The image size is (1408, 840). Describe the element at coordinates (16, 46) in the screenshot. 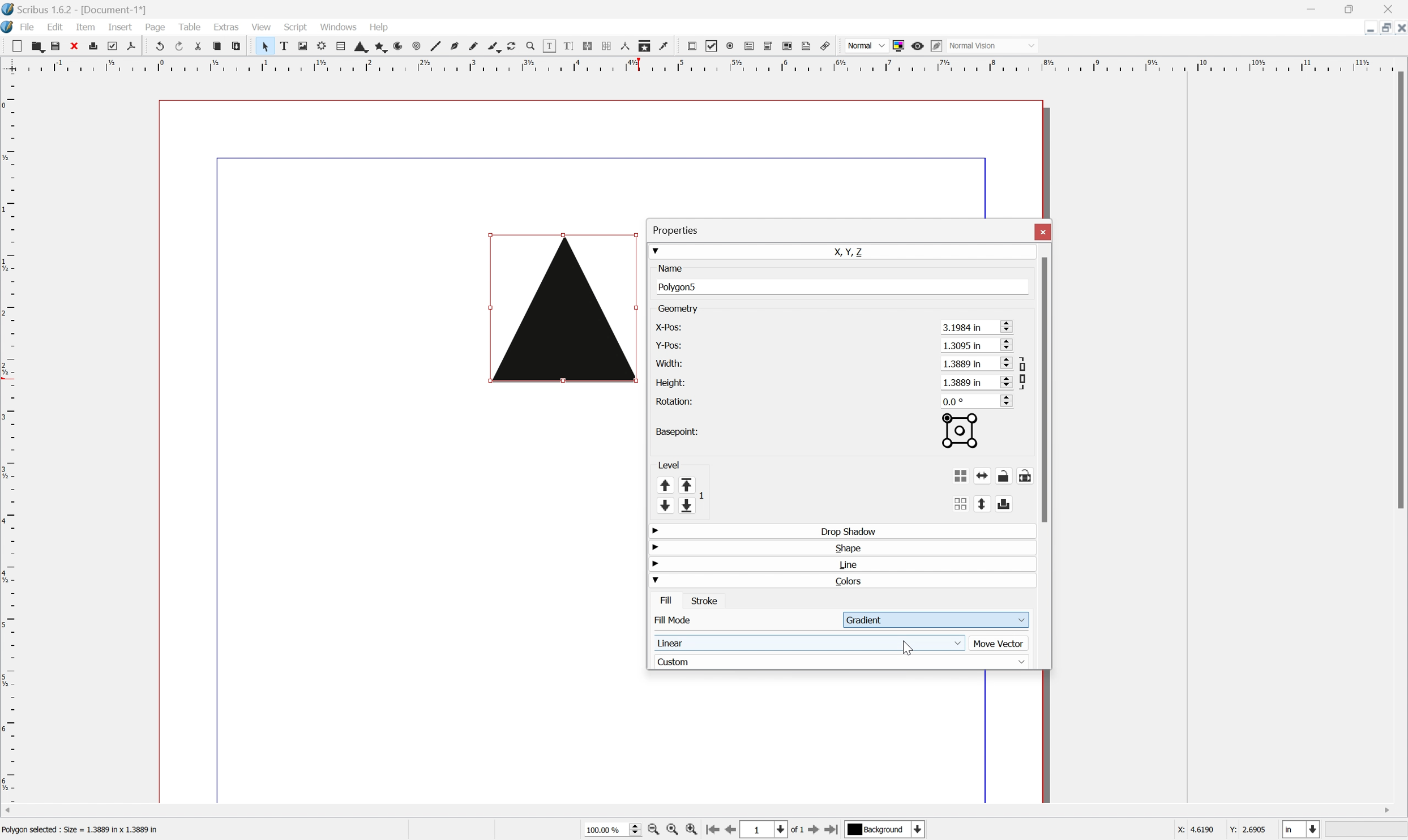

I see `New` at that location.